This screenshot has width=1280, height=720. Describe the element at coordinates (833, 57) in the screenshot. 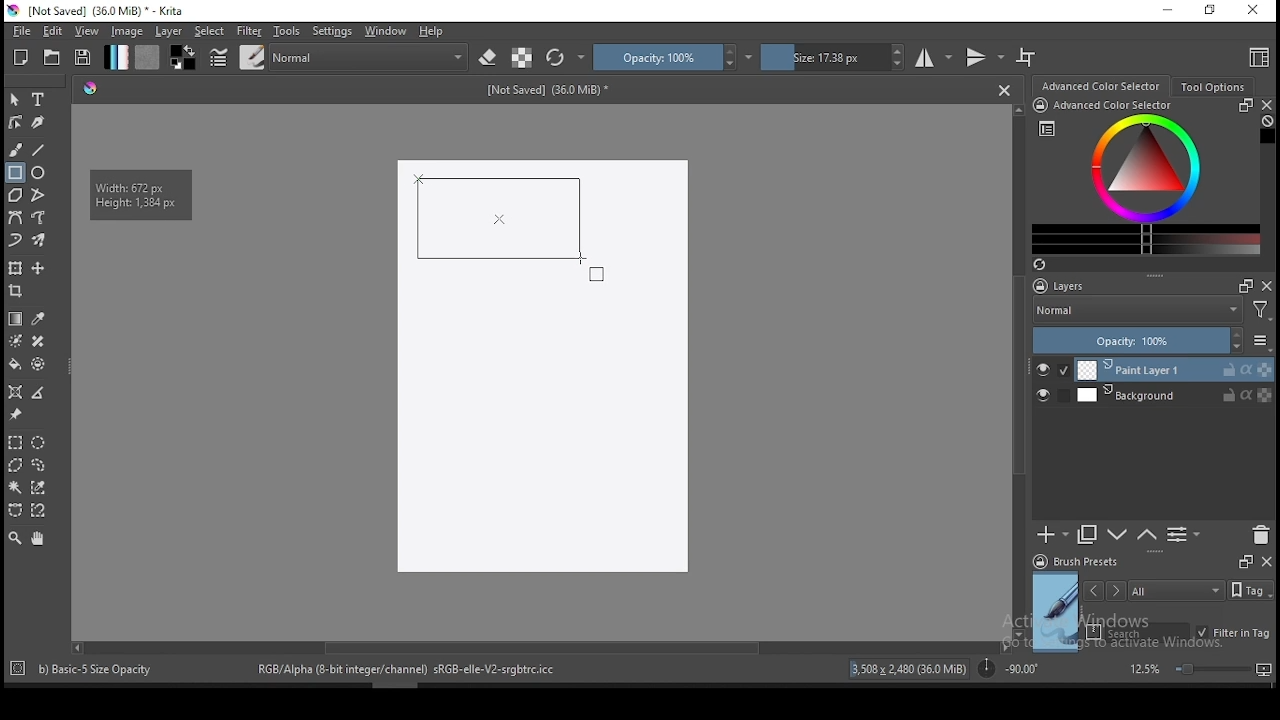

I see `size` at that location.